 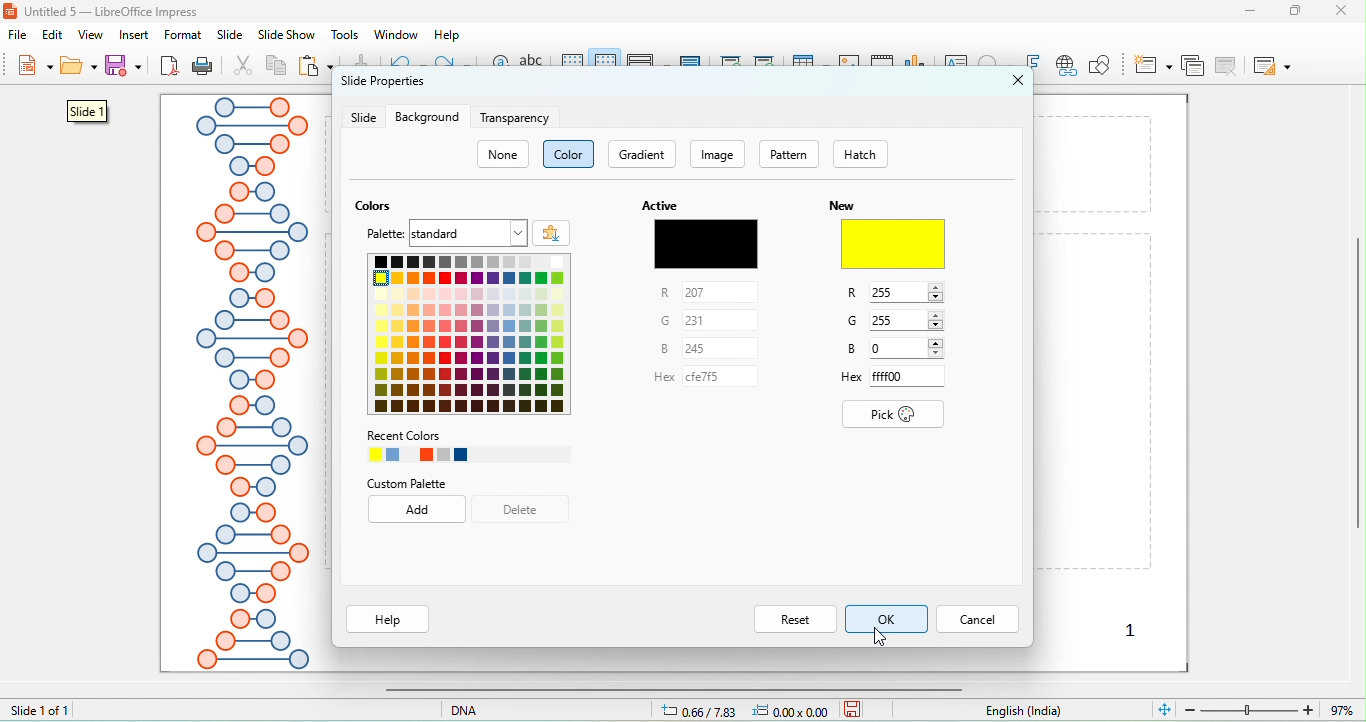 I want to click on recent colors, so click(x=468, y=446).